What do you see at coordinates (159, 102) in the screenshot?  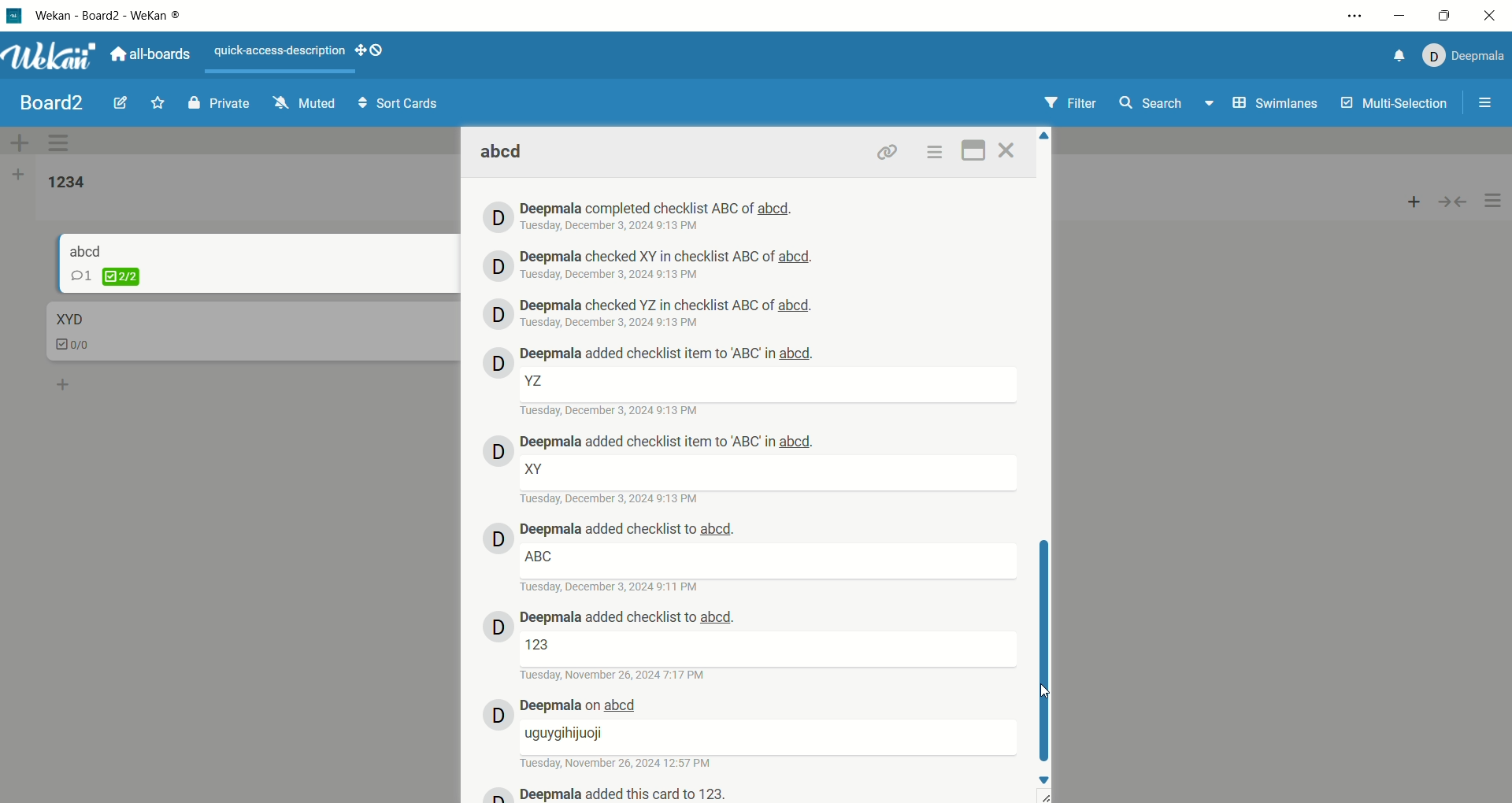 I see `favorite` at bounding box center [159, 102].